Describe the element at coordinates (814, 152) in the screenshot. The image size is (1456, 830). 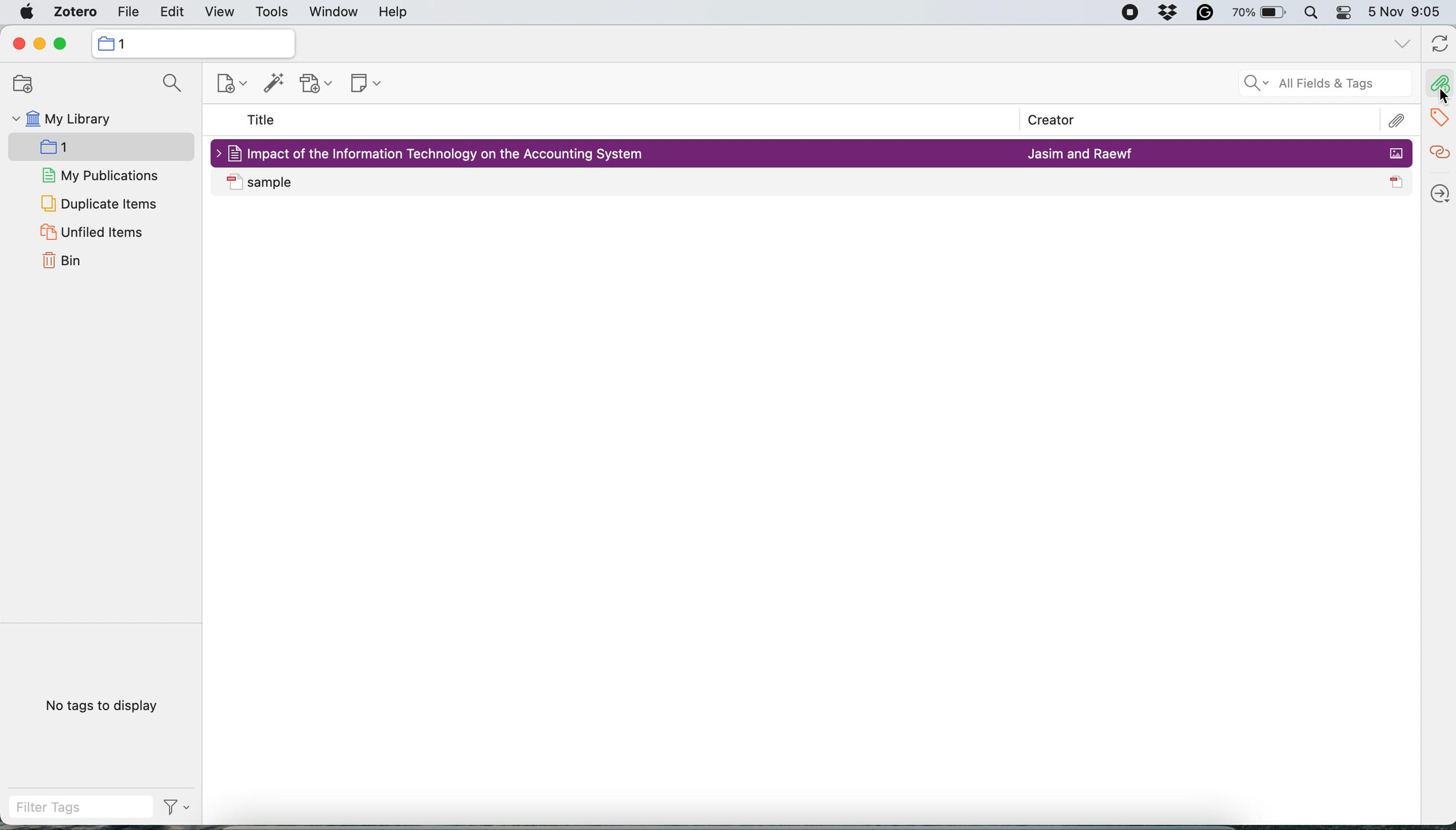
I see `Impact of the Information Technology on the Accounting System  Jasim and Raewf` at that location.